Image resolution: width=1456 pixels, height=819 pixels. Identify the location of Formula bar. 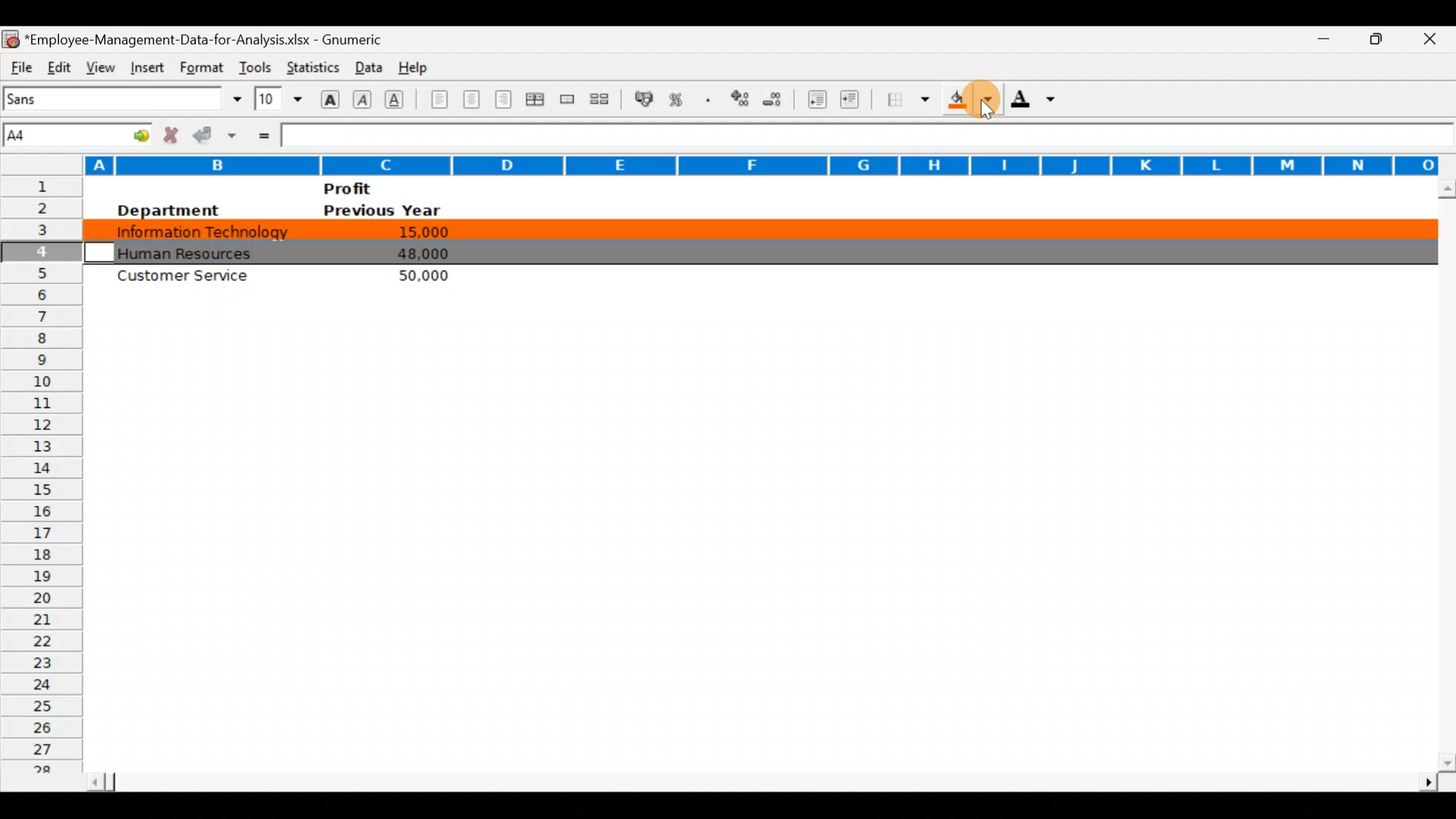
(868, 136).